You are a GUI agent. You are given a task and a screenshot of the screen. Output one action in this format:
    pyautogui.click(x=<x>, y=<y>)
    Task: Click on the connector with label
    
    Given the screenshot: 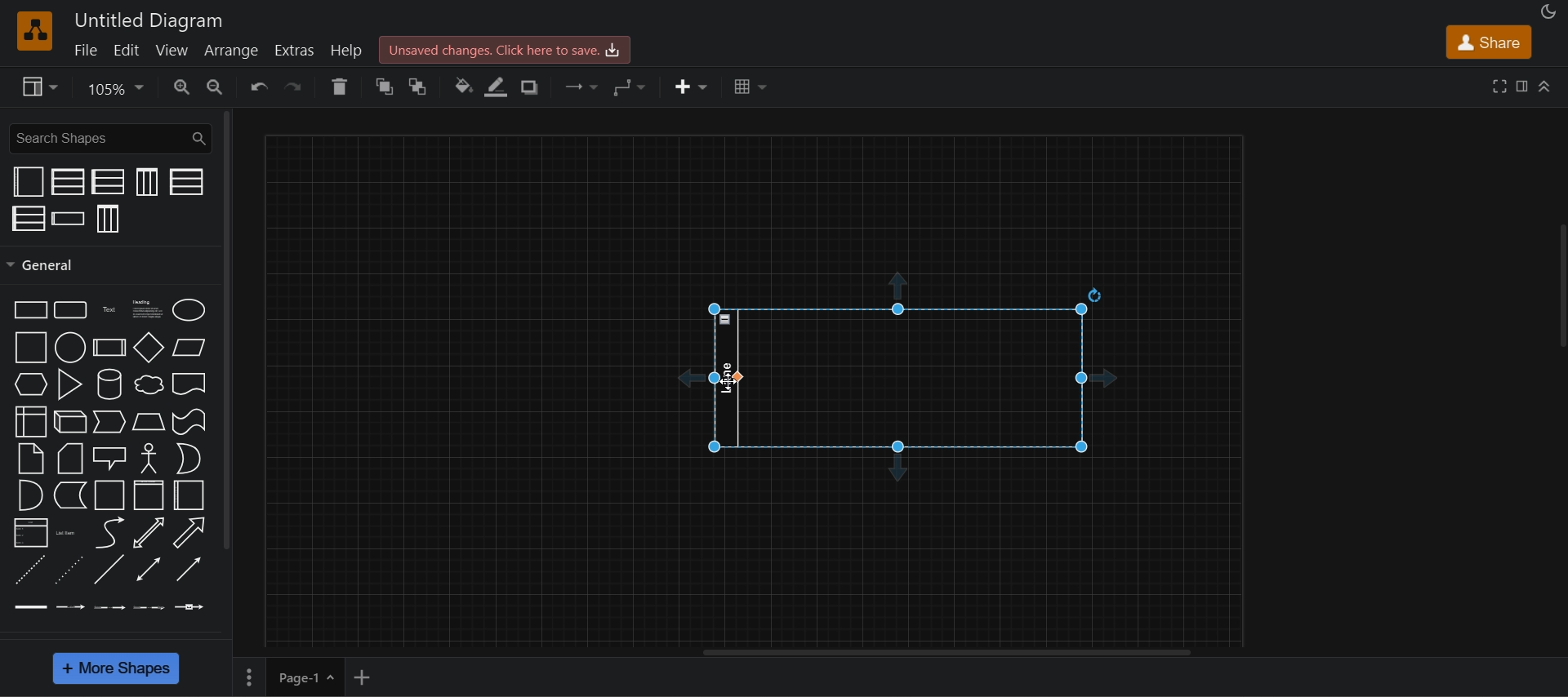 What is the action you would take?
    pyautogui.click(x=69, y=608)
    